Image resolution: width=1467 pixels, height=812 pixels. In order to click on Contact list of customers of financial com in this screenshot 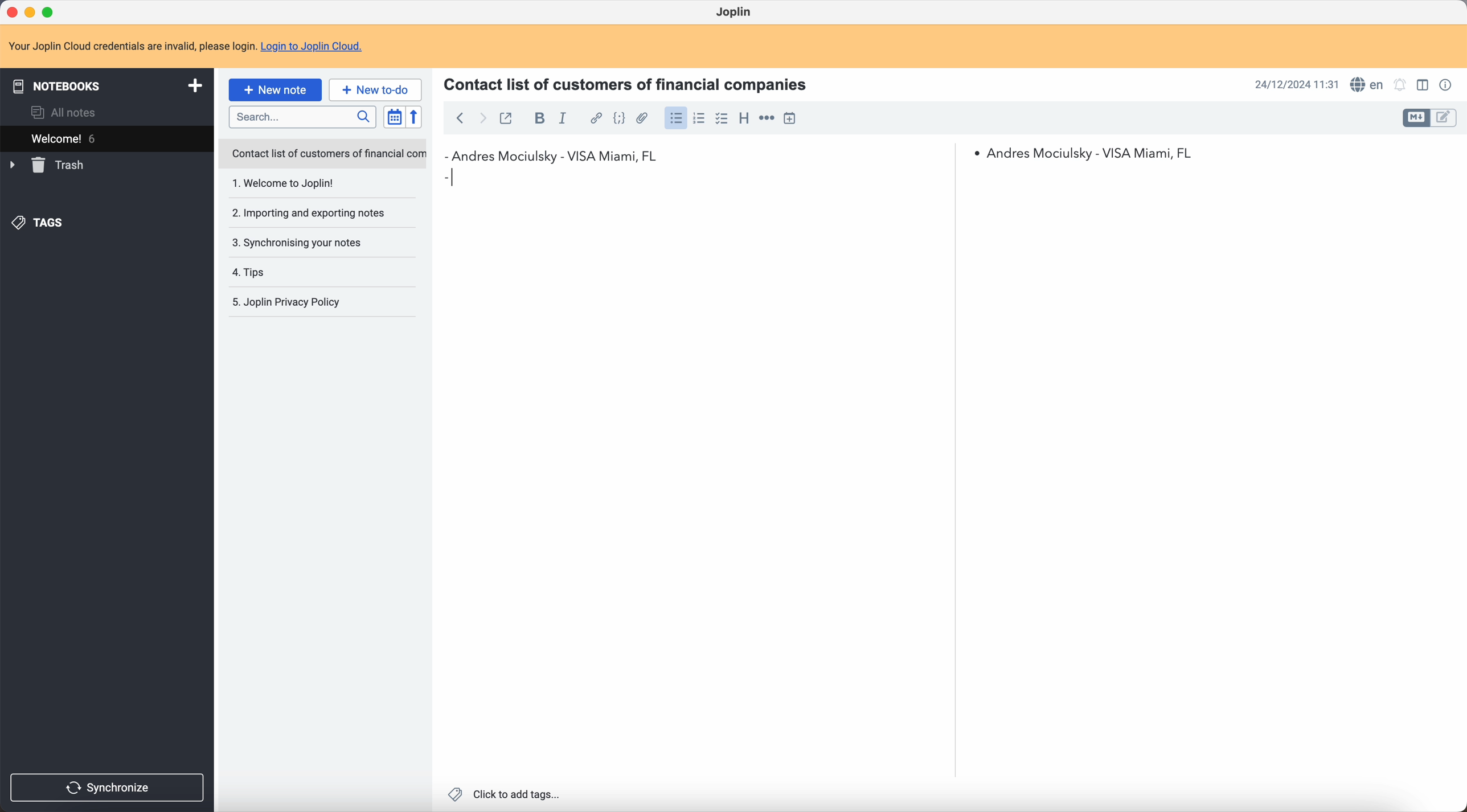, I will do `click(327, 154)`.